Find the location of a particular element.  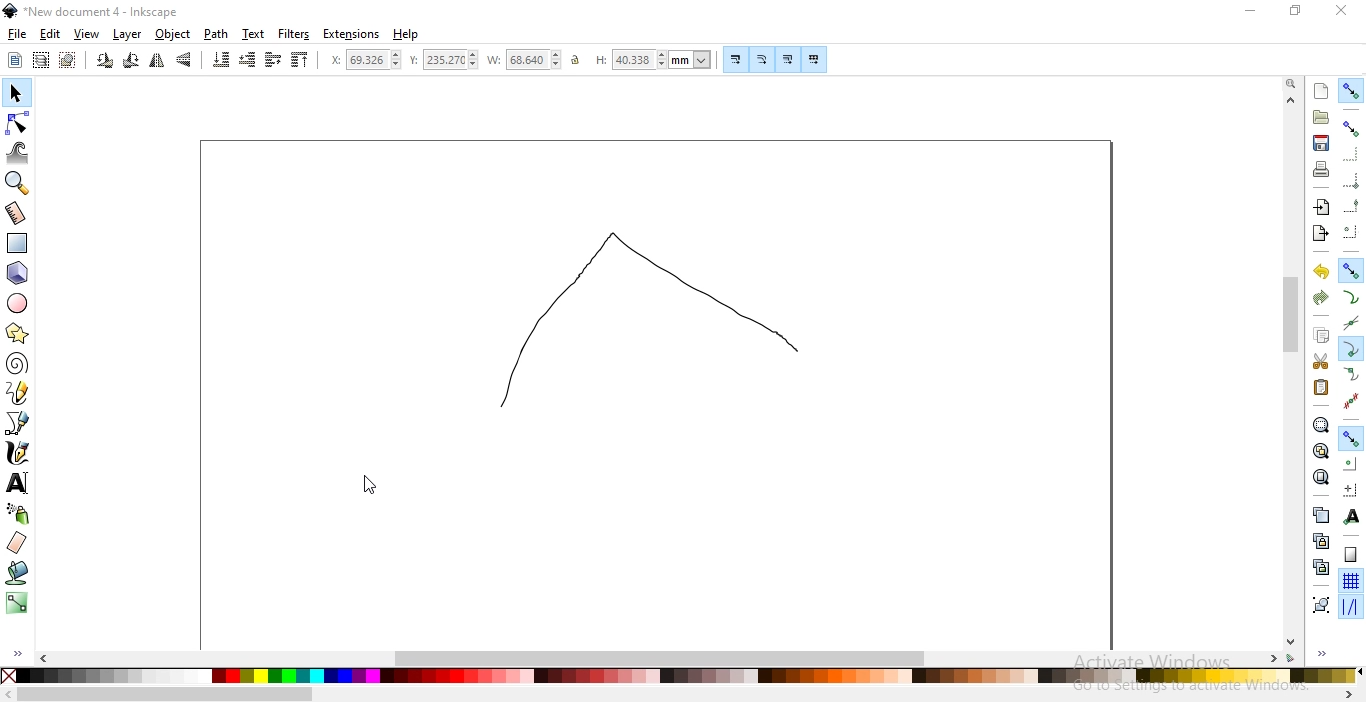

paste is located at coordinates (1320, 387).